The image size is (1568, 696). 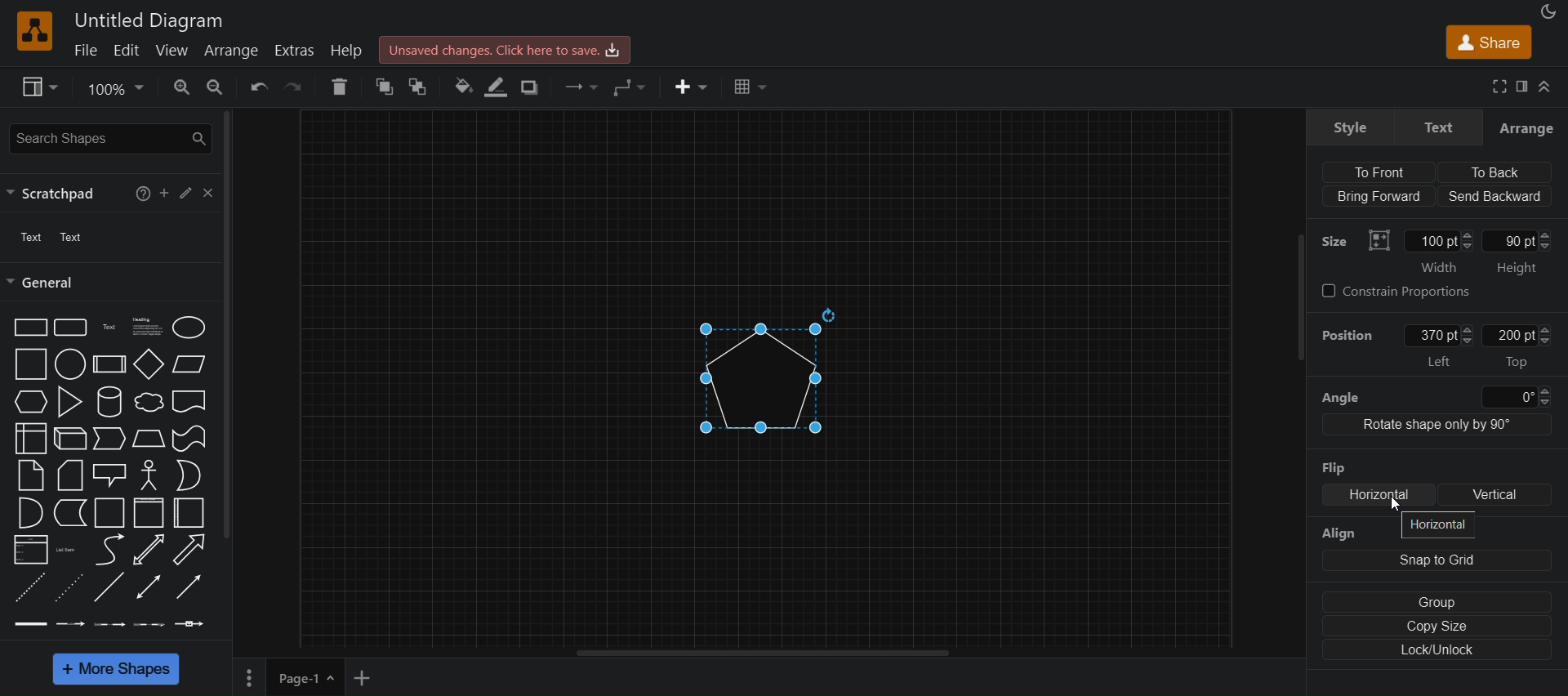 I want to click on Triangle, so click(x=69, y=402).